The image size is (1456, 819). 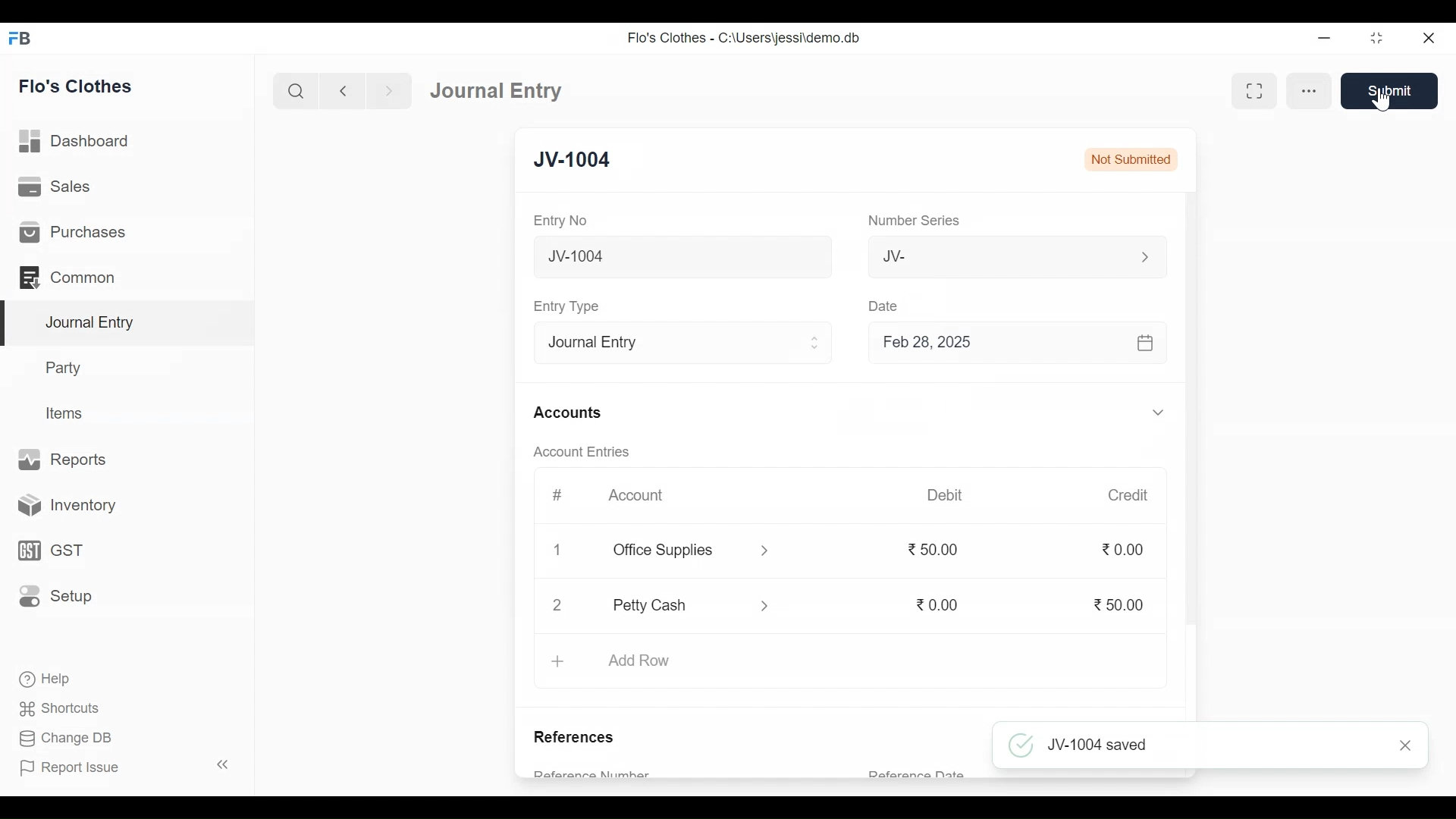 I want to click on Inventory, so click(x=61, y=507).